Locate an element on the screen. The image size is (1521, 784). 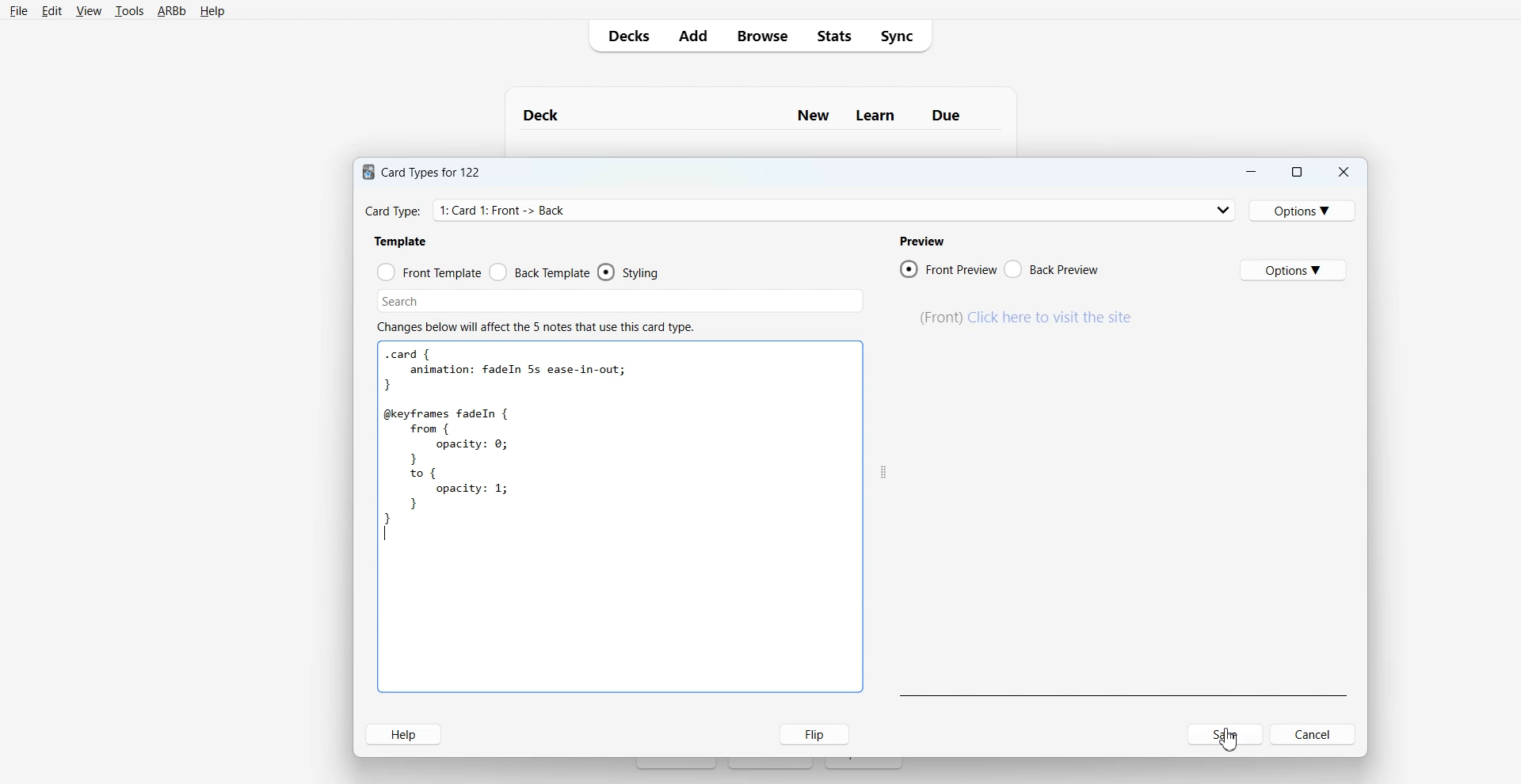
text 2 is located at coordinates (405, 242).